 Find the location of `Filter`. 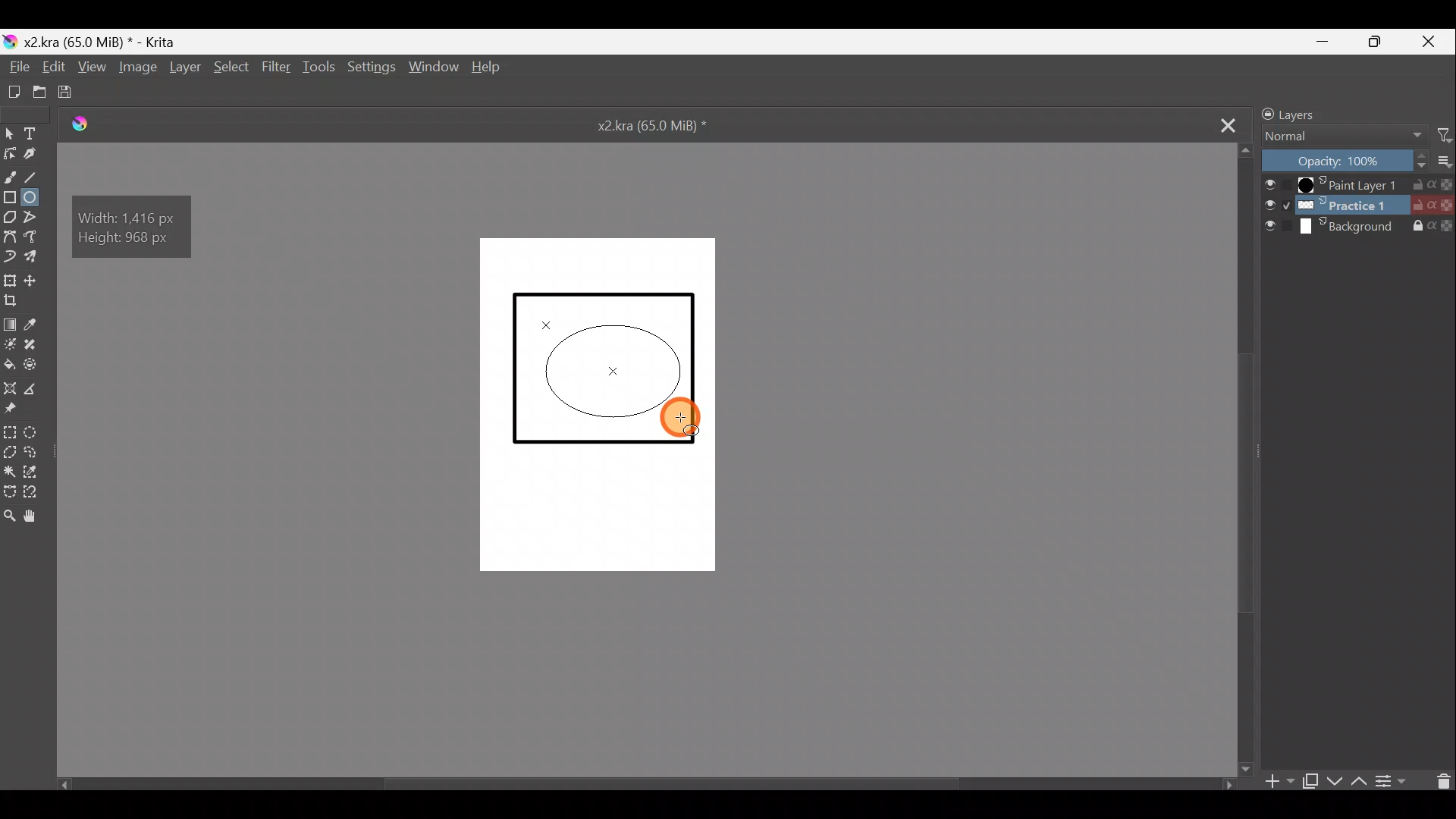

Filter is located at coordinates (275, 66).